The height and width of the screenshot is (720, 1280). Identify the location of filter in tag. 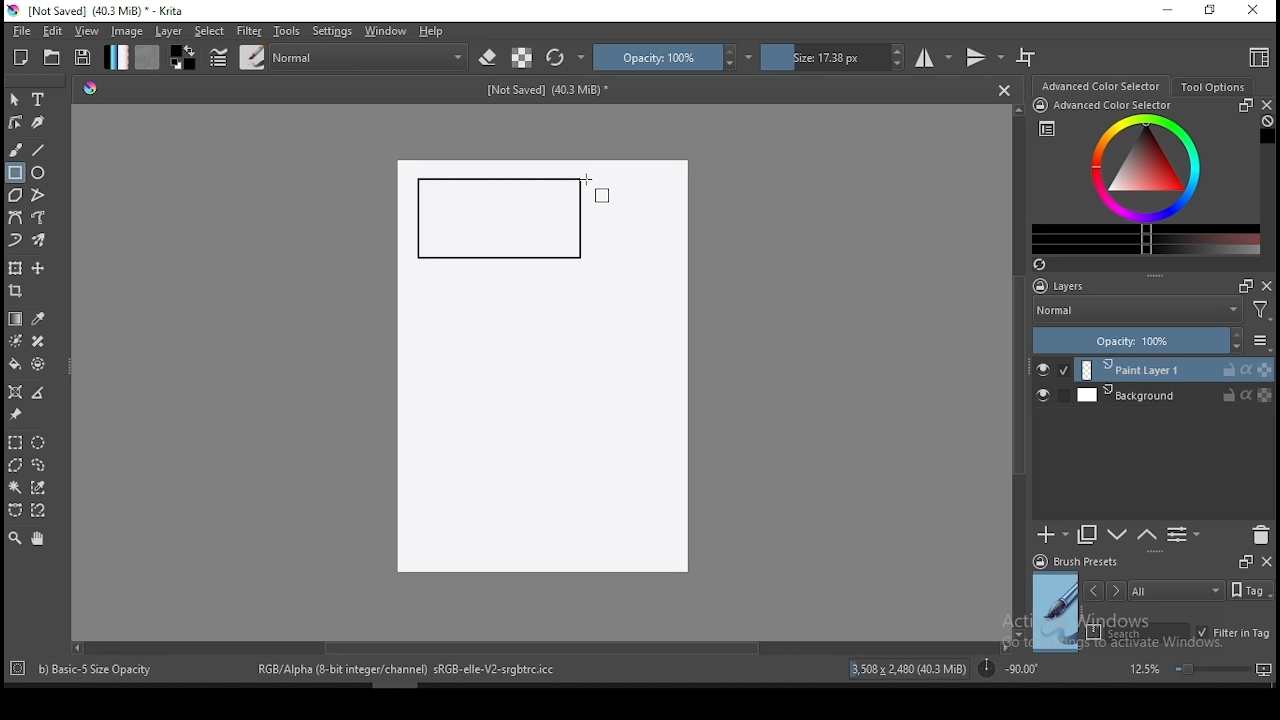
(1233, 634).